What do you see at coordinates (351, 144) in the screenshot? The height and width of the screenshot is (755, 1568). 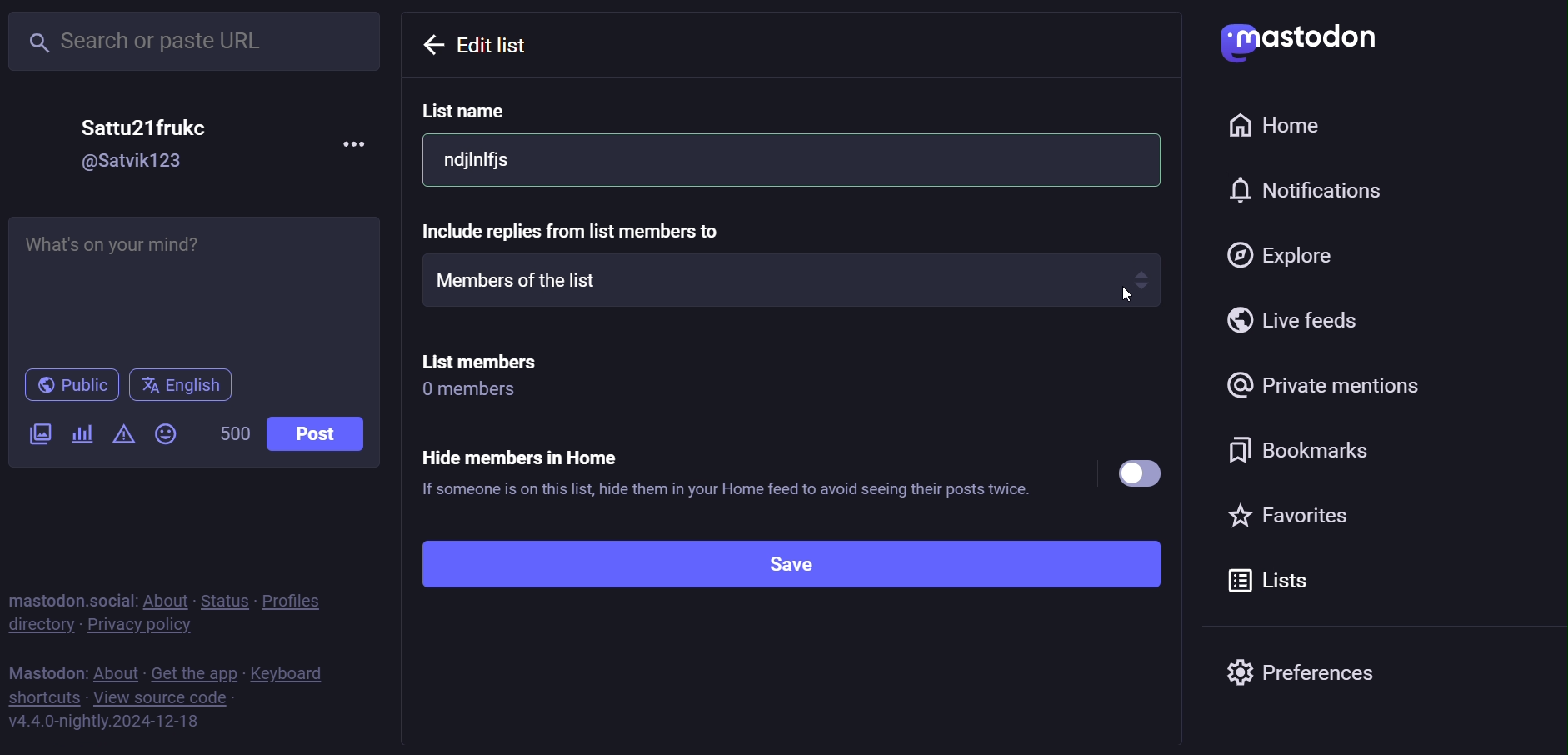 I see `more` at bounding box center [351, 144].